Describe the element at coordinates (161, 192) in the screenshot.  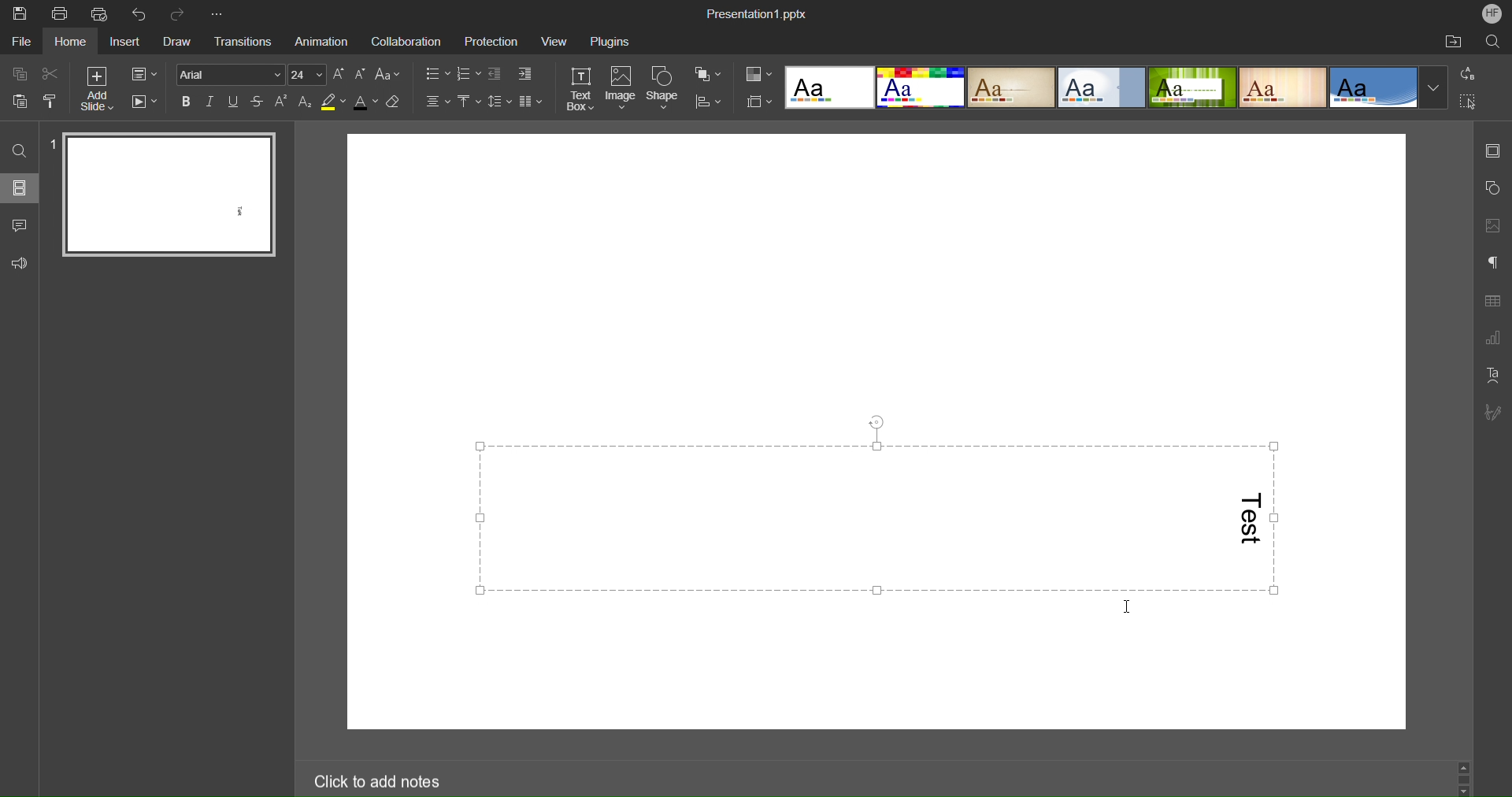
I see `Slide 1` at that location.